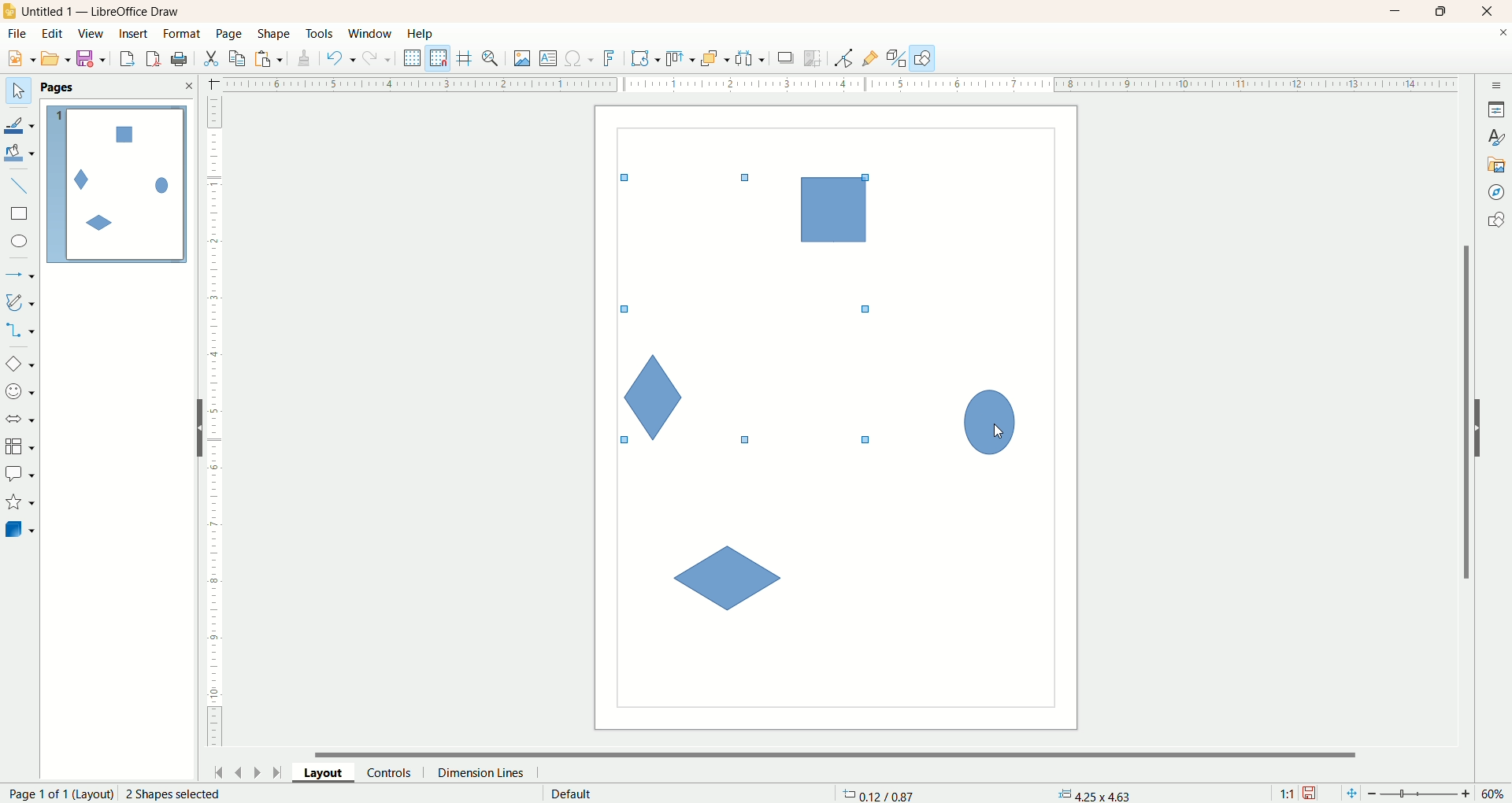  I want to click on 3dD object, so click(19, 529).